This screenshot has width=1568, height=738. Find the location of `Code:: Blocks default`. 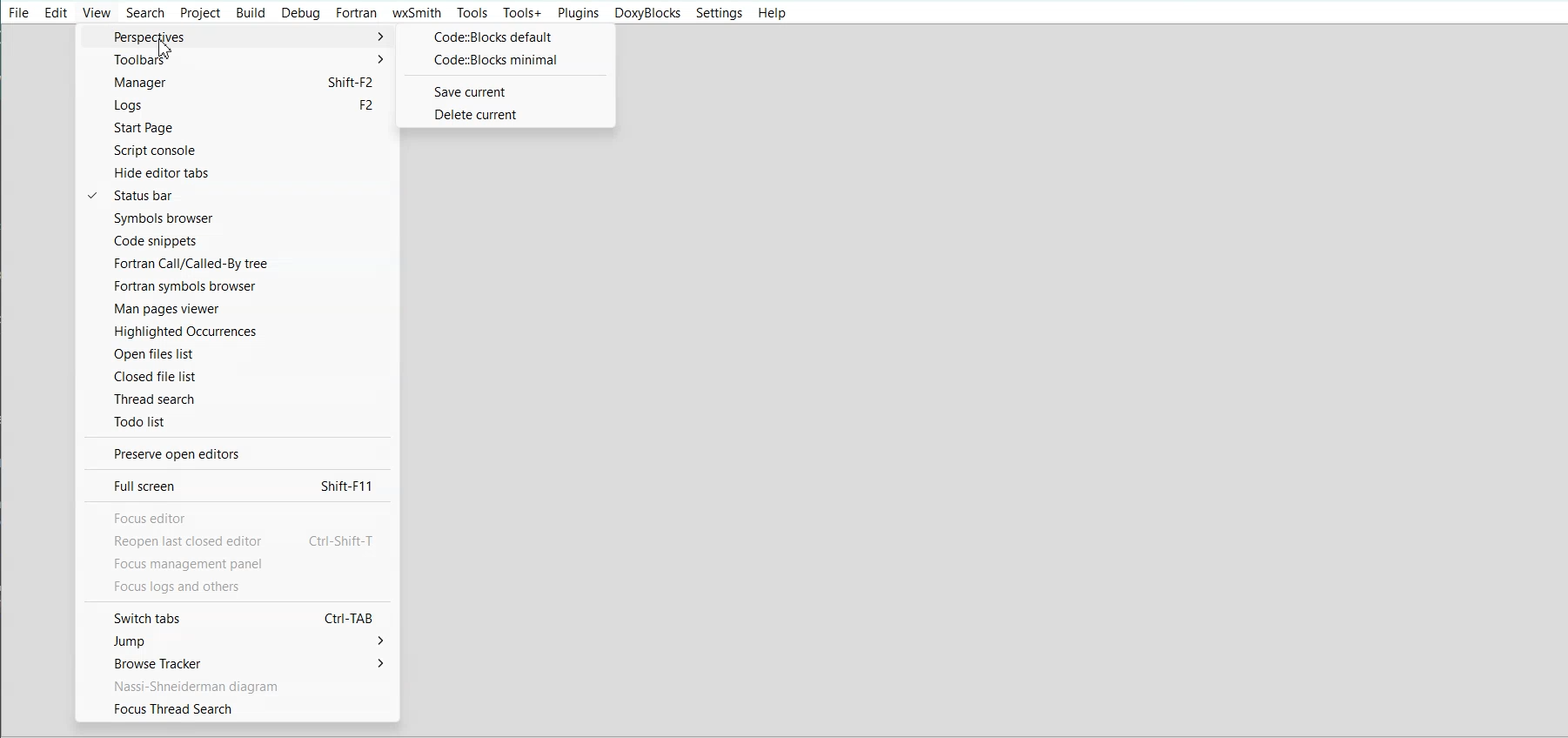

Code:: Blocks default is located at coordinates (502, 38).